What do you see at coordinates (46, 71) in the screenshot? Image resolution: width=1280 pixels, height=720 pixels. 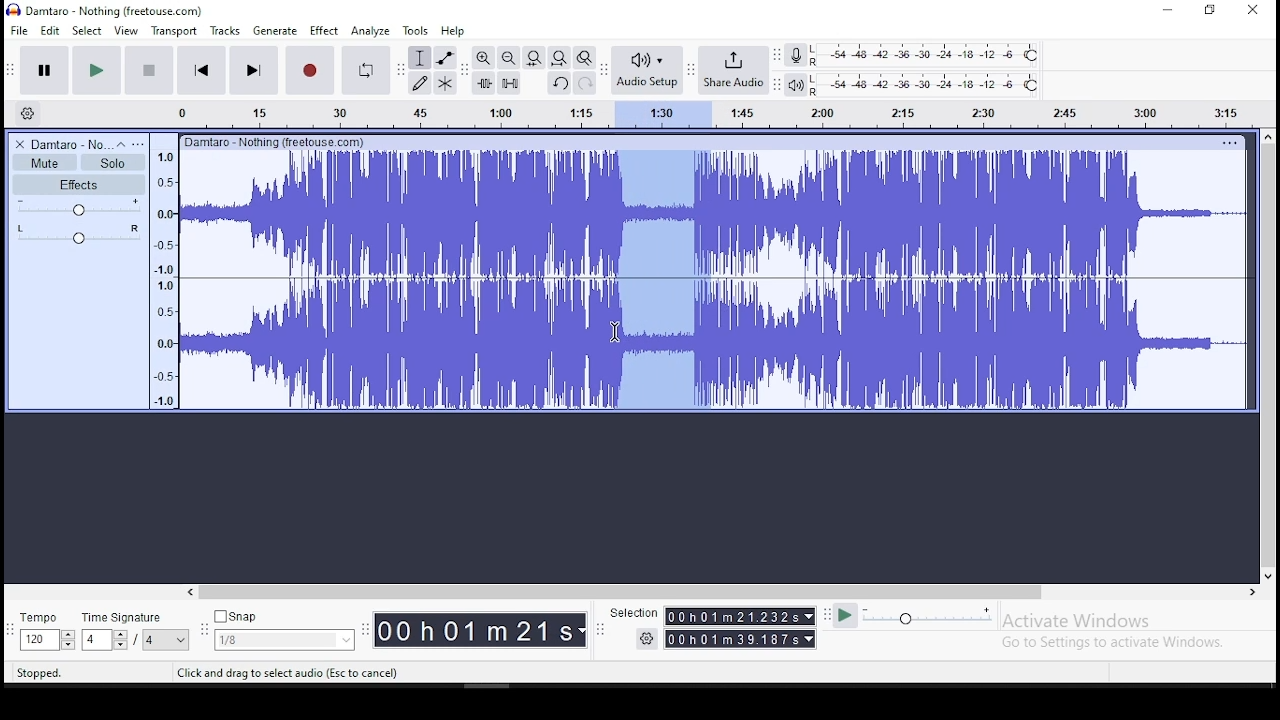 I see `pause` at bounding box center [46, 71].